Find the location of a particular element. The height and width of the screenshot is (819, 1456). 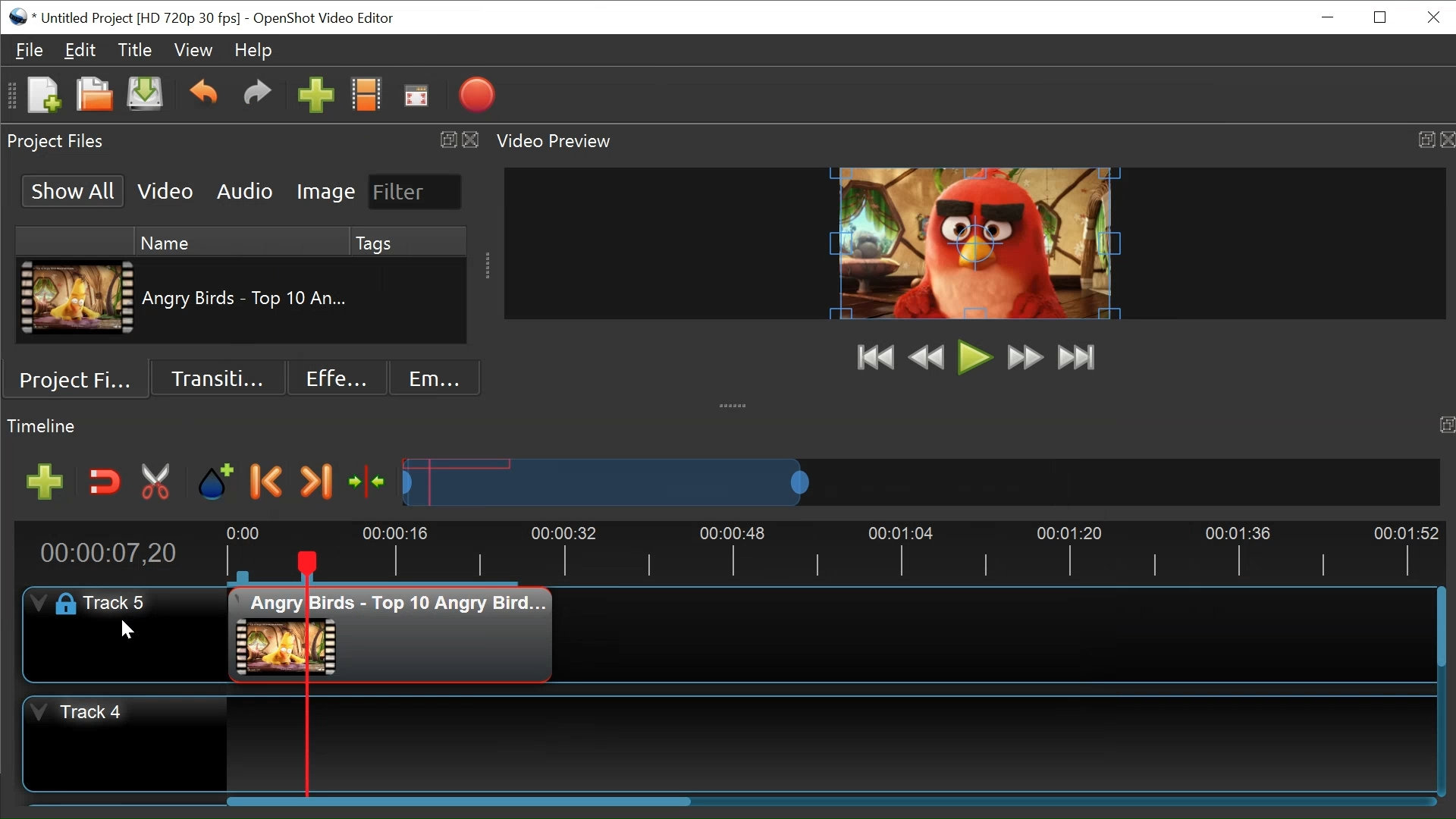

Track Header is located at coordinates (95, 712).